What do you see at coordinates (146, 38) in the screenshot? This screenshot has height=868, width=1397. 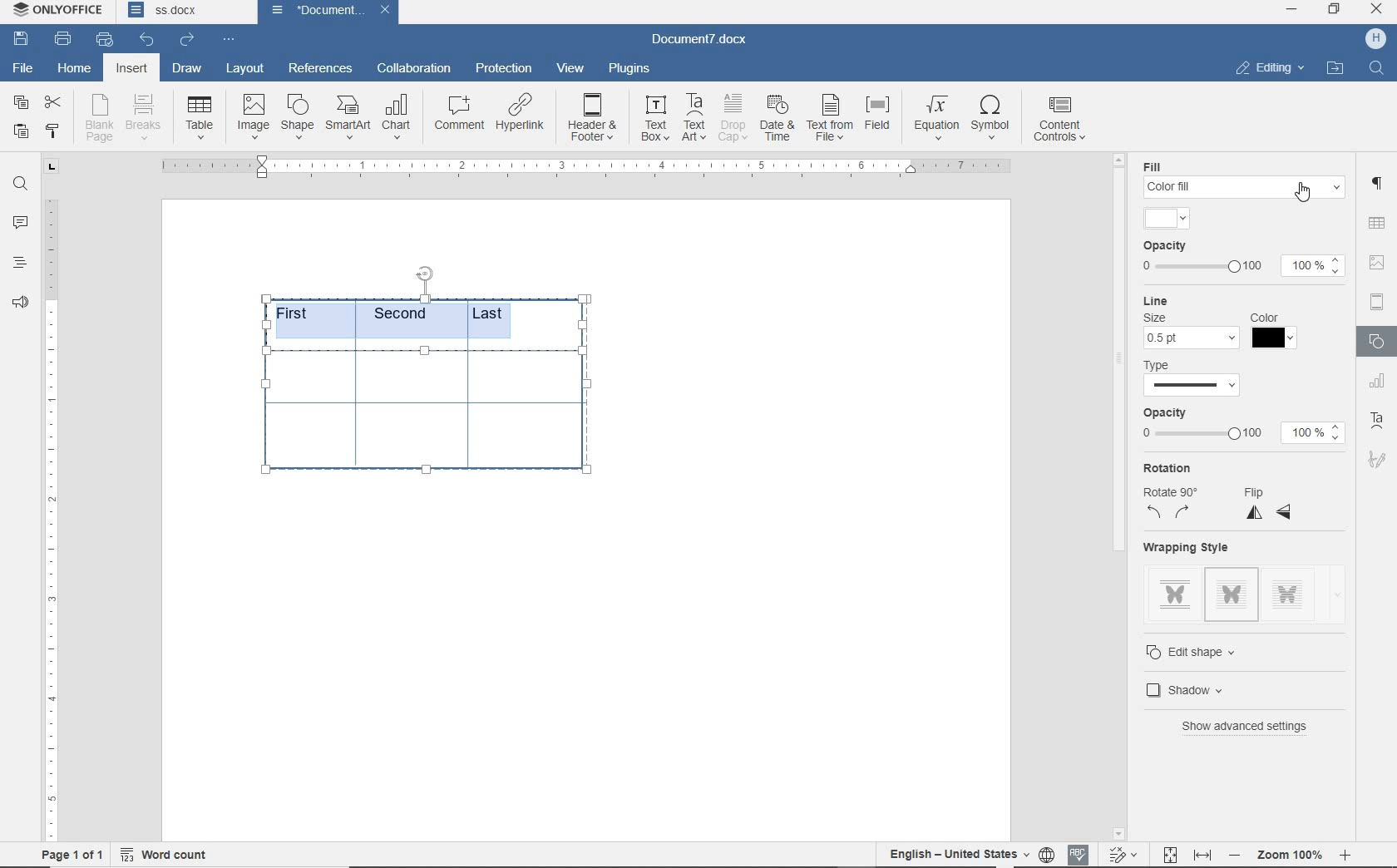 I see `undo` at bounding box center [146, 38].